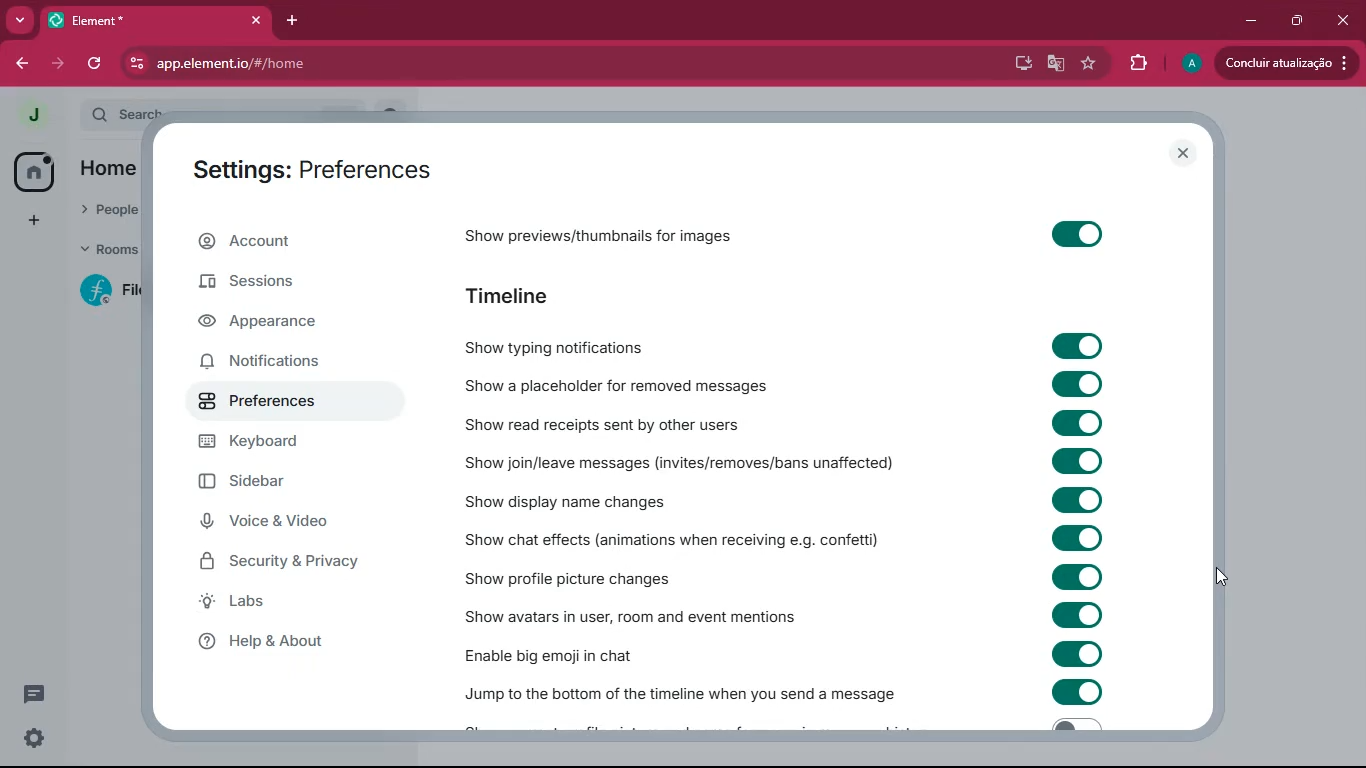  What do you see at coordinates (1080, 345) in the screenshot?
I see `toggle on ` at bounding box center [1080, 345].